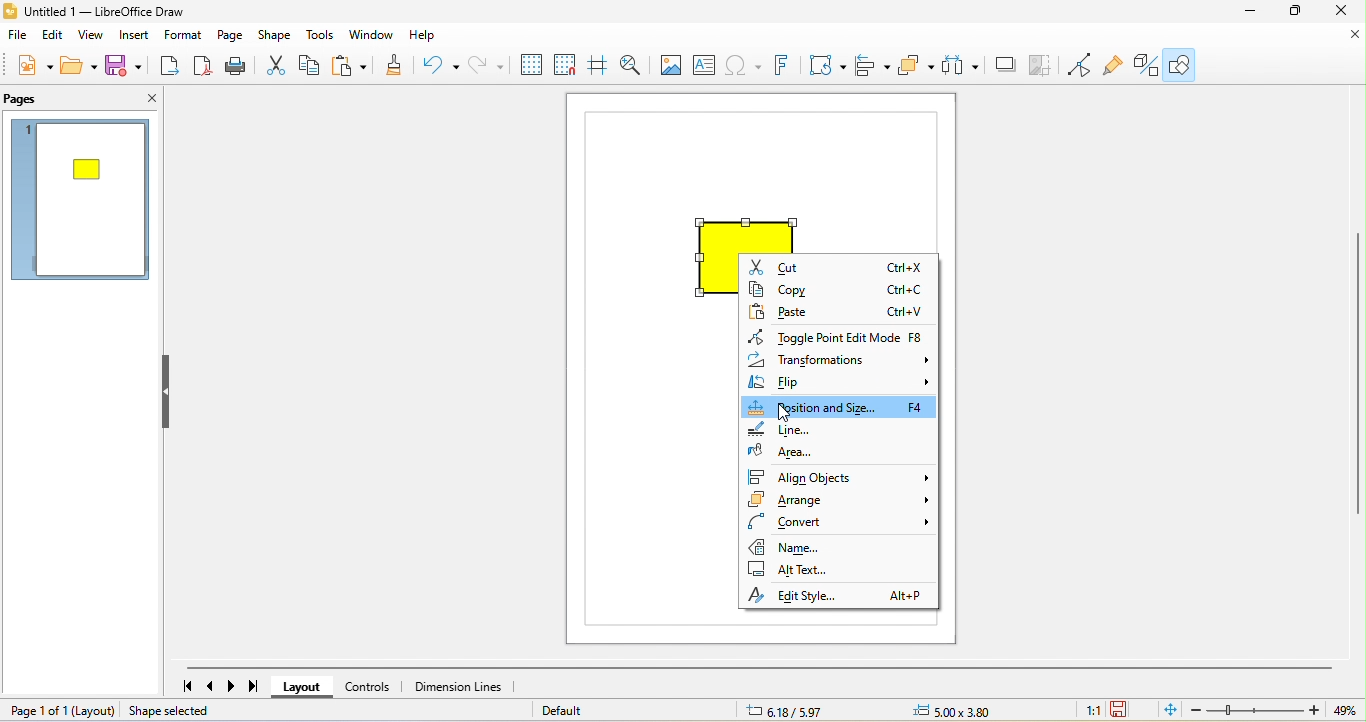  I want to click on window, so click(375, 35).